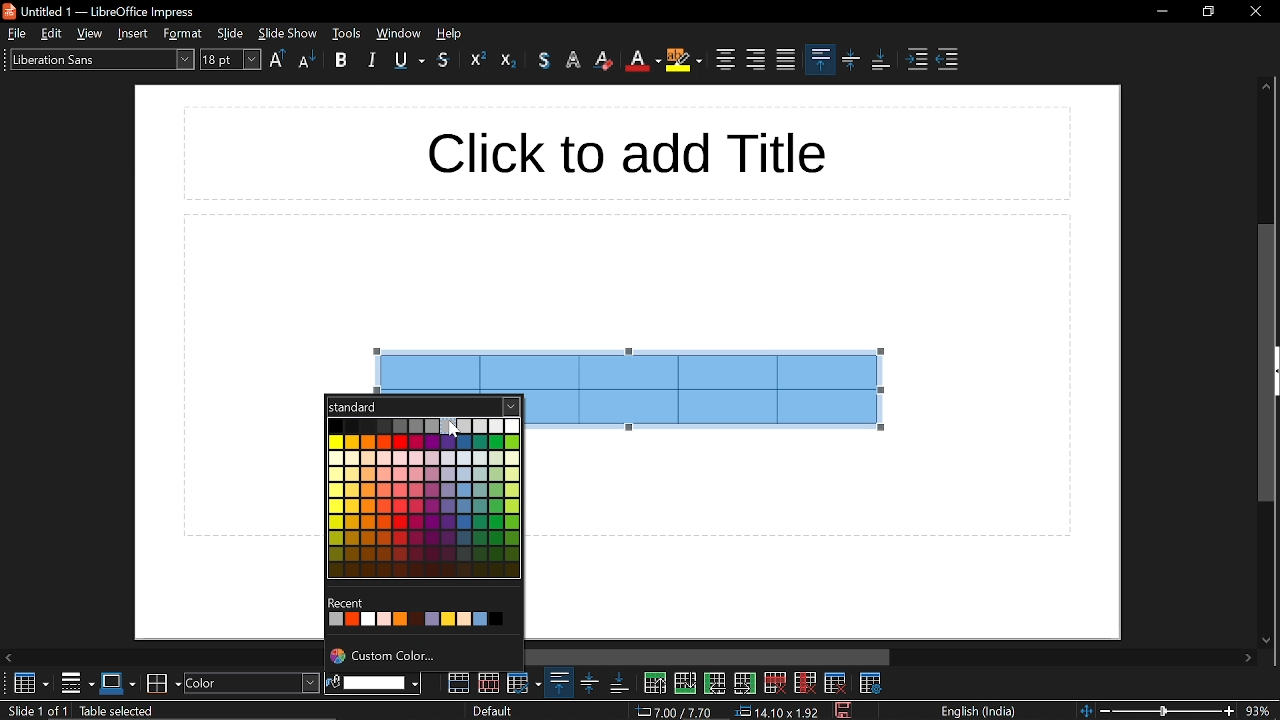  I want to click on position, so click(777, 712).